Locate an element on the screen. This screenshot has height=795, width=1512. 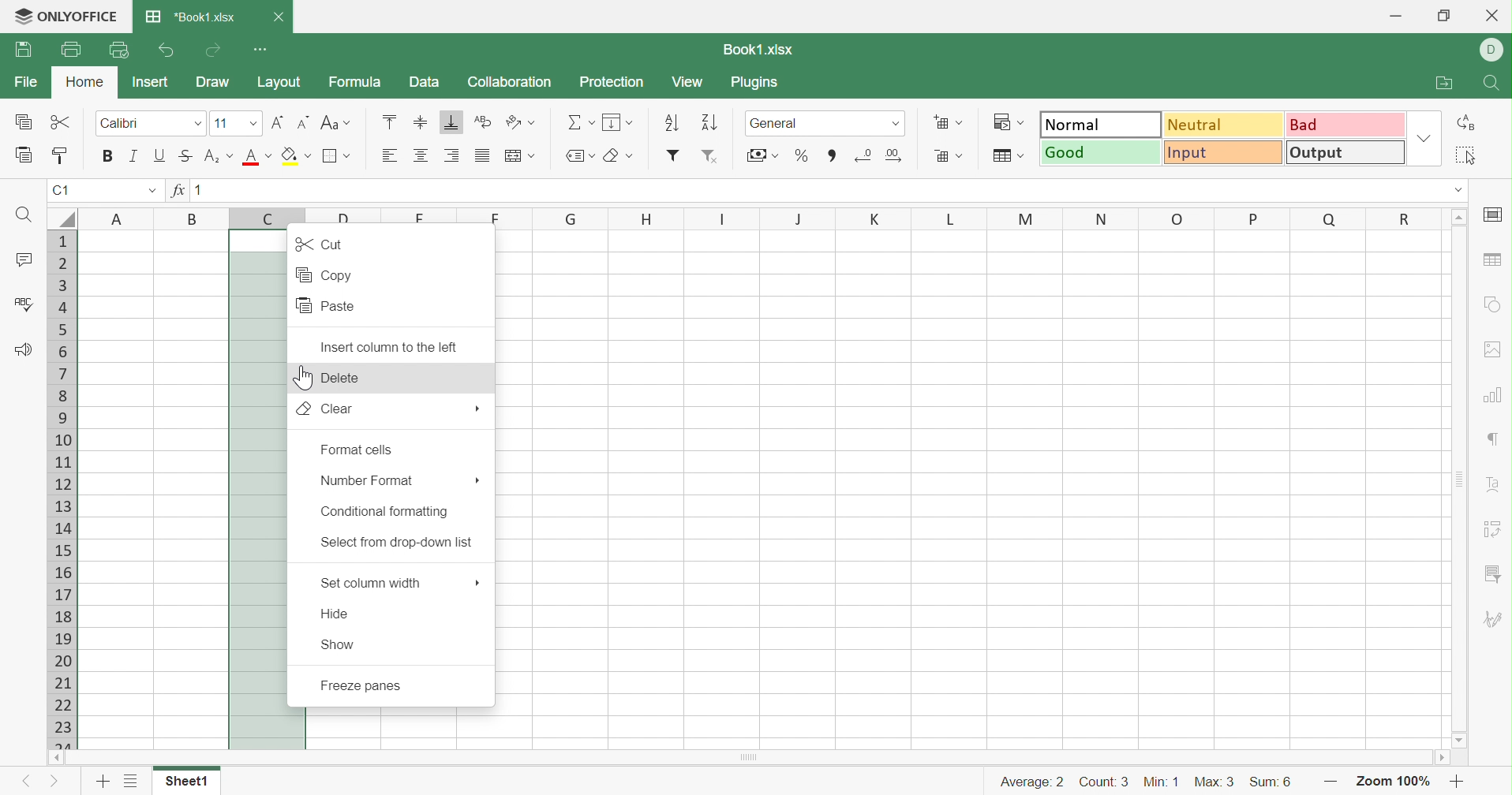
Sheet1 is located at coordinates (189, 785).